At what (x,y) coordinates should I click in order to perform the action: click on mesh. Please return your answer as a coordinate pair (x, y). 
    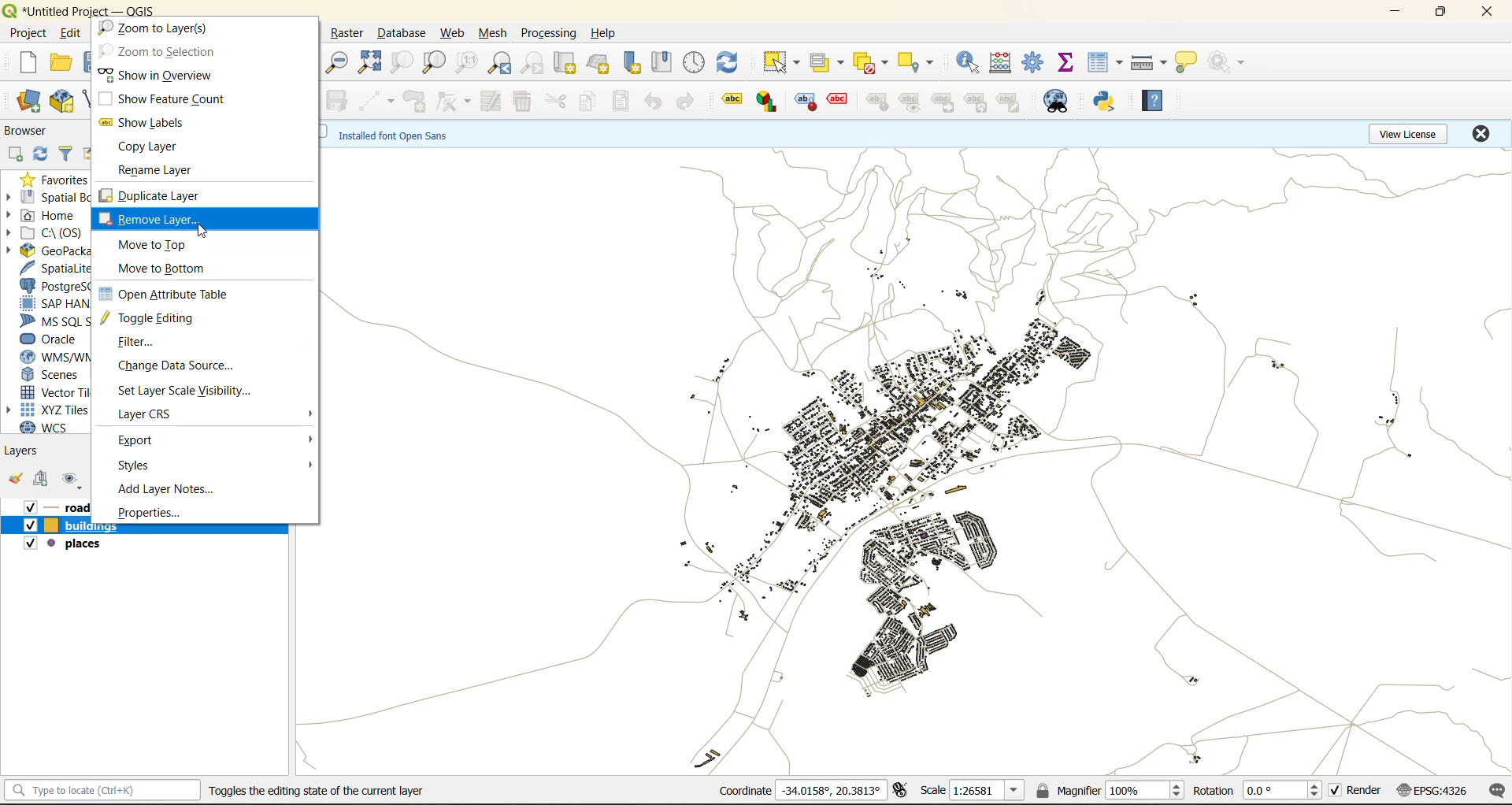
    Looking at the image, I should click on (494, 32).